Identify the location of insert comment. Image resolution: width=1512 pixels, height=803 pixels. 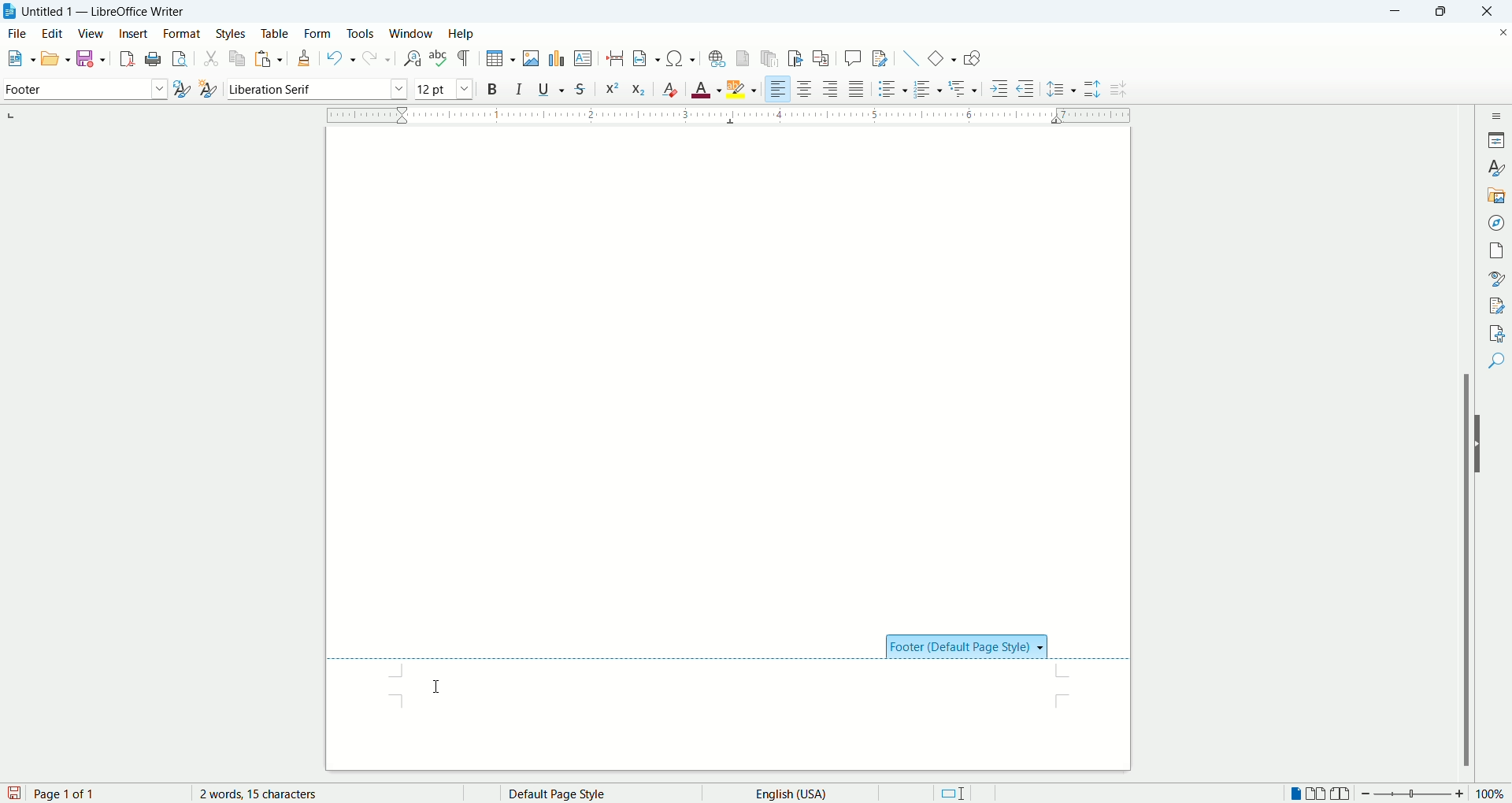
(853, 57).